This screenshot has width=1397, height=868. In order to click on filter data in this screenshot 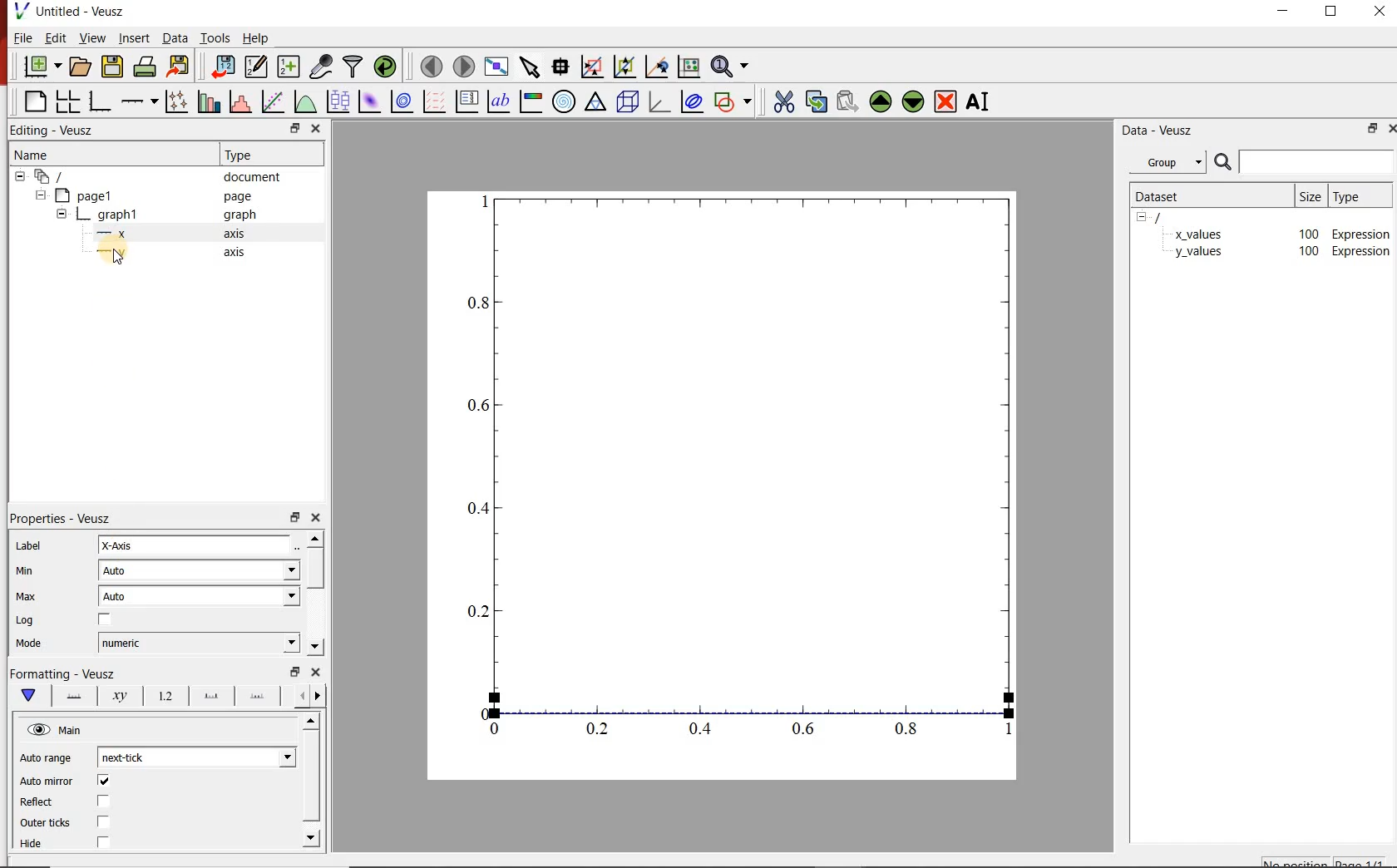, I will do `click(353, 67)`.